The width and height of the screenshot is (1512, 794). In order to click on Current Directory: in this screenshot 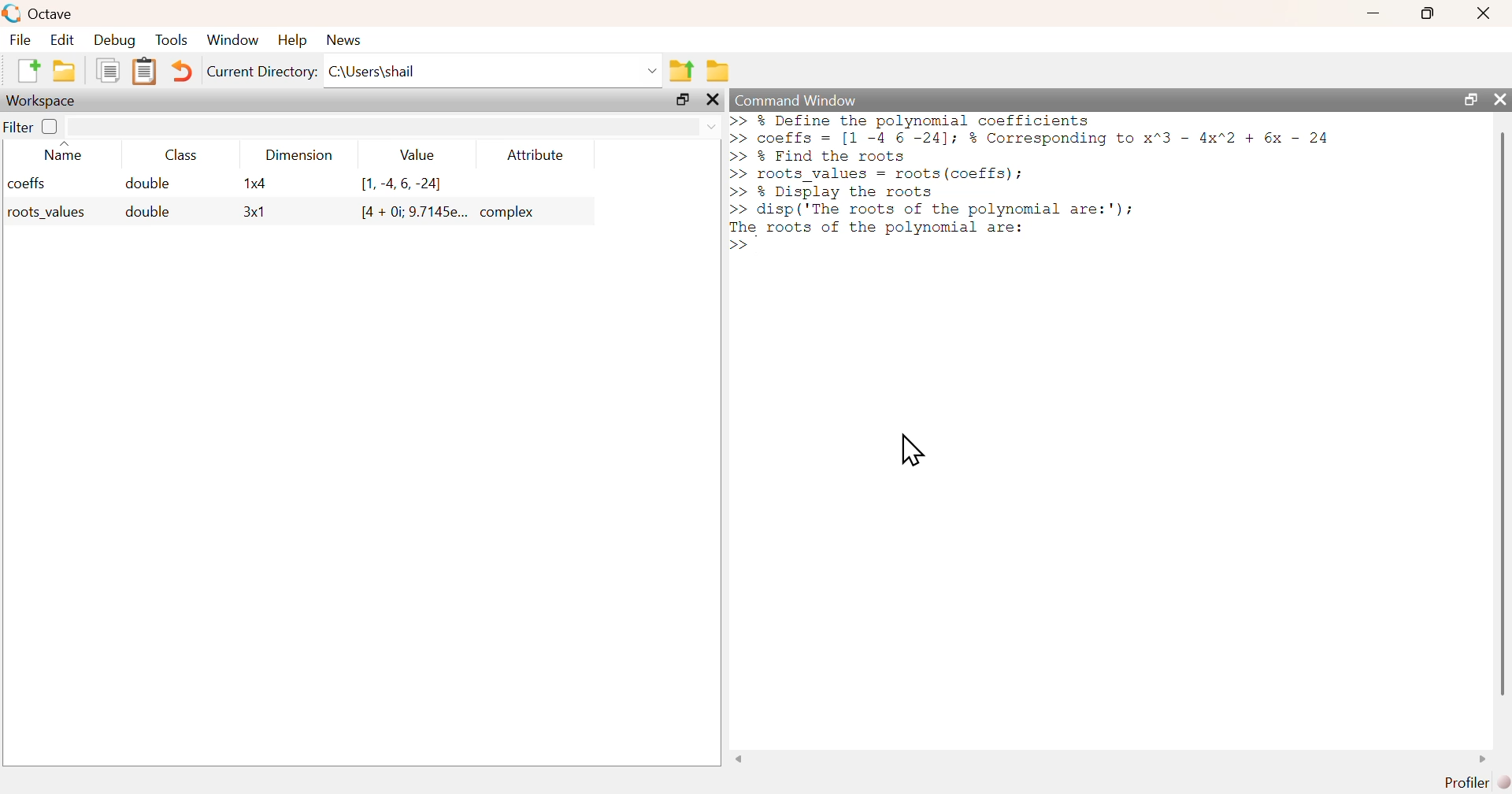, I will do `click(261, 72)`.